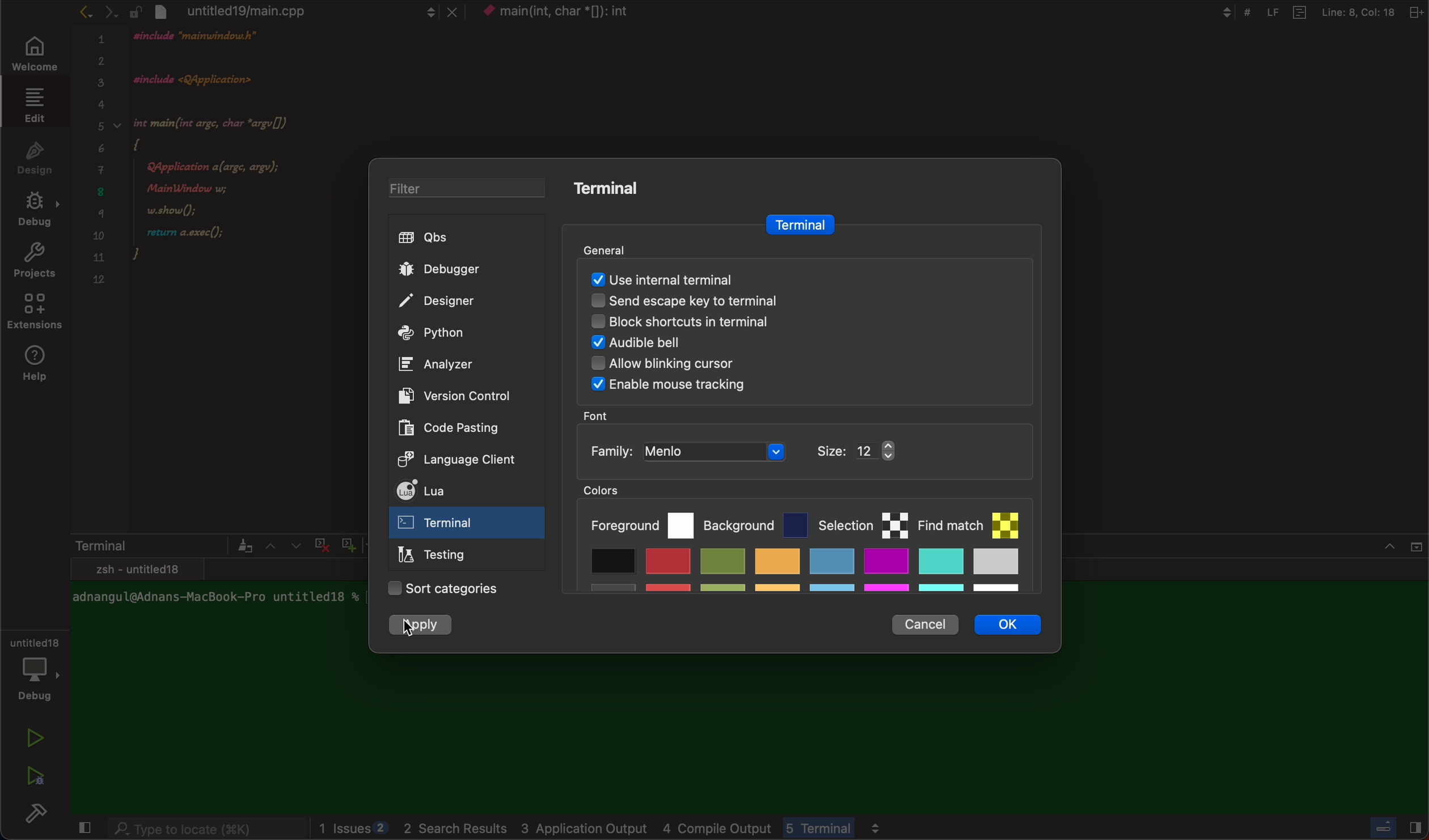 The image size is (1429, 840). What do you see at coordinates (236, 171) in the screenshot?
I see `code` at bounding box center [236, 171].